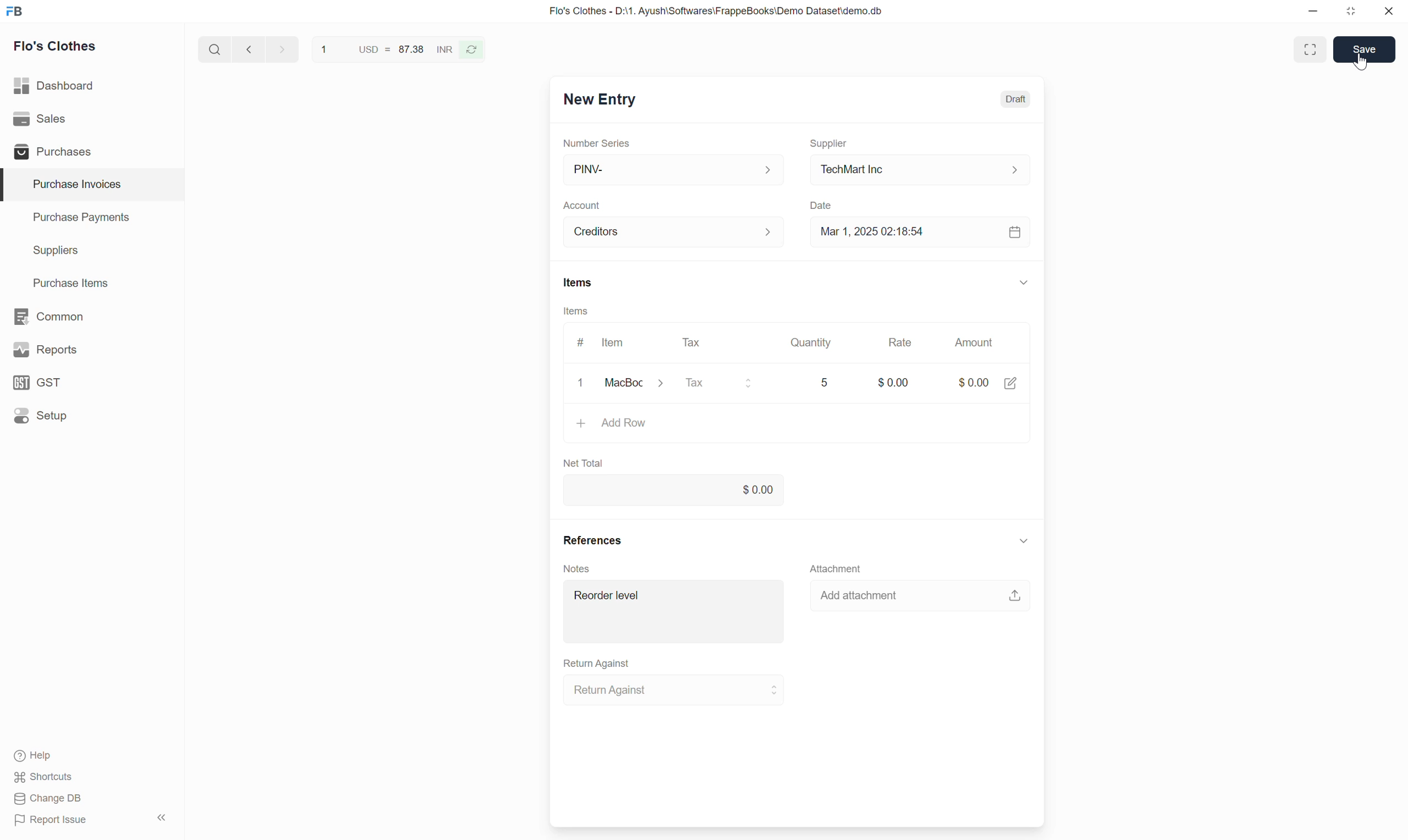 This screenshot has width=1408, height=840. What do you see at coordinates (92, 284) in the screenshot?
I see `Purchase Items` at bounding box center [92, 284].